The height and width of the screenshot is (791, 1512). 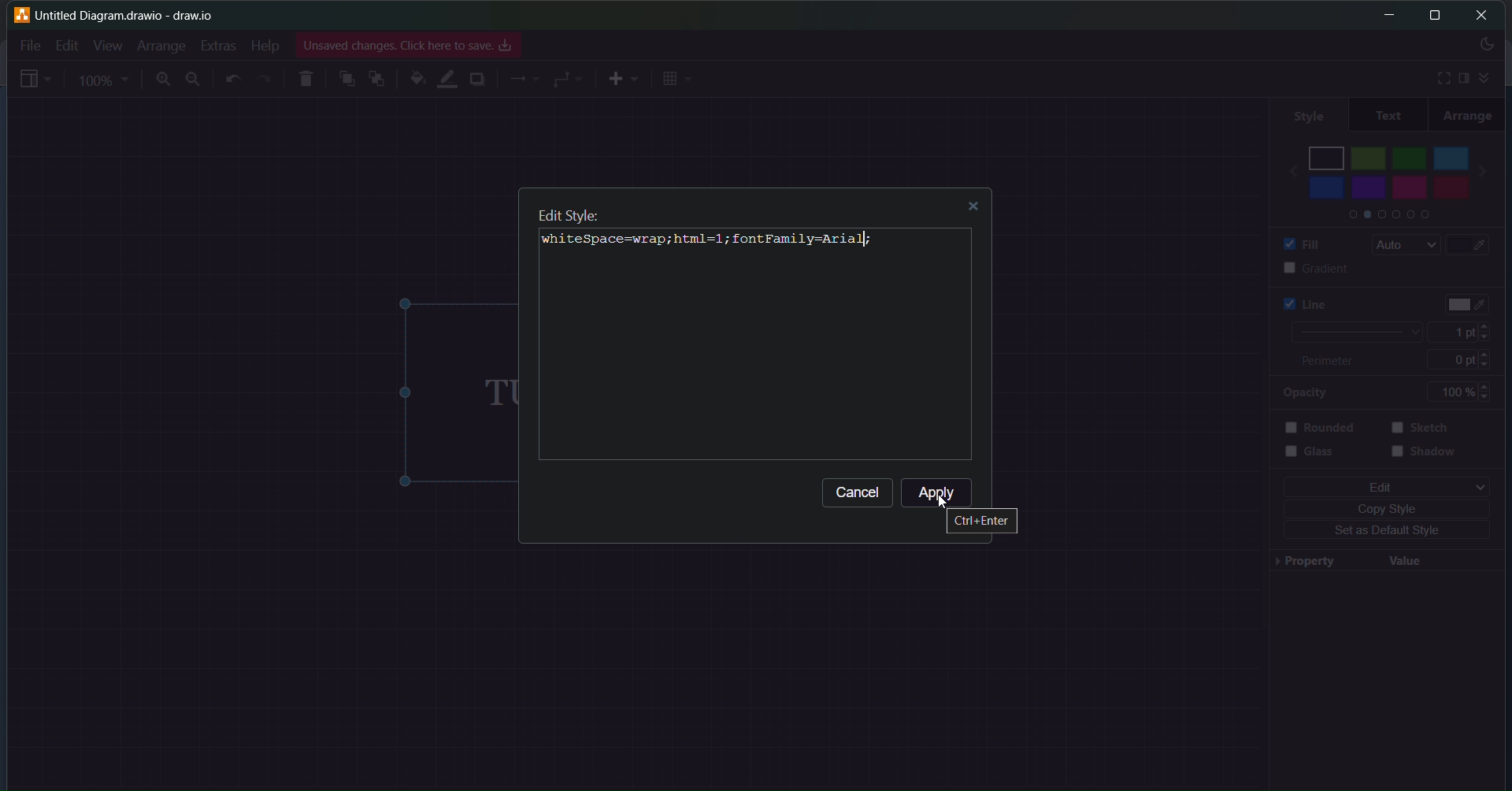 I want to click on auto, so click(x=1401, y=245).